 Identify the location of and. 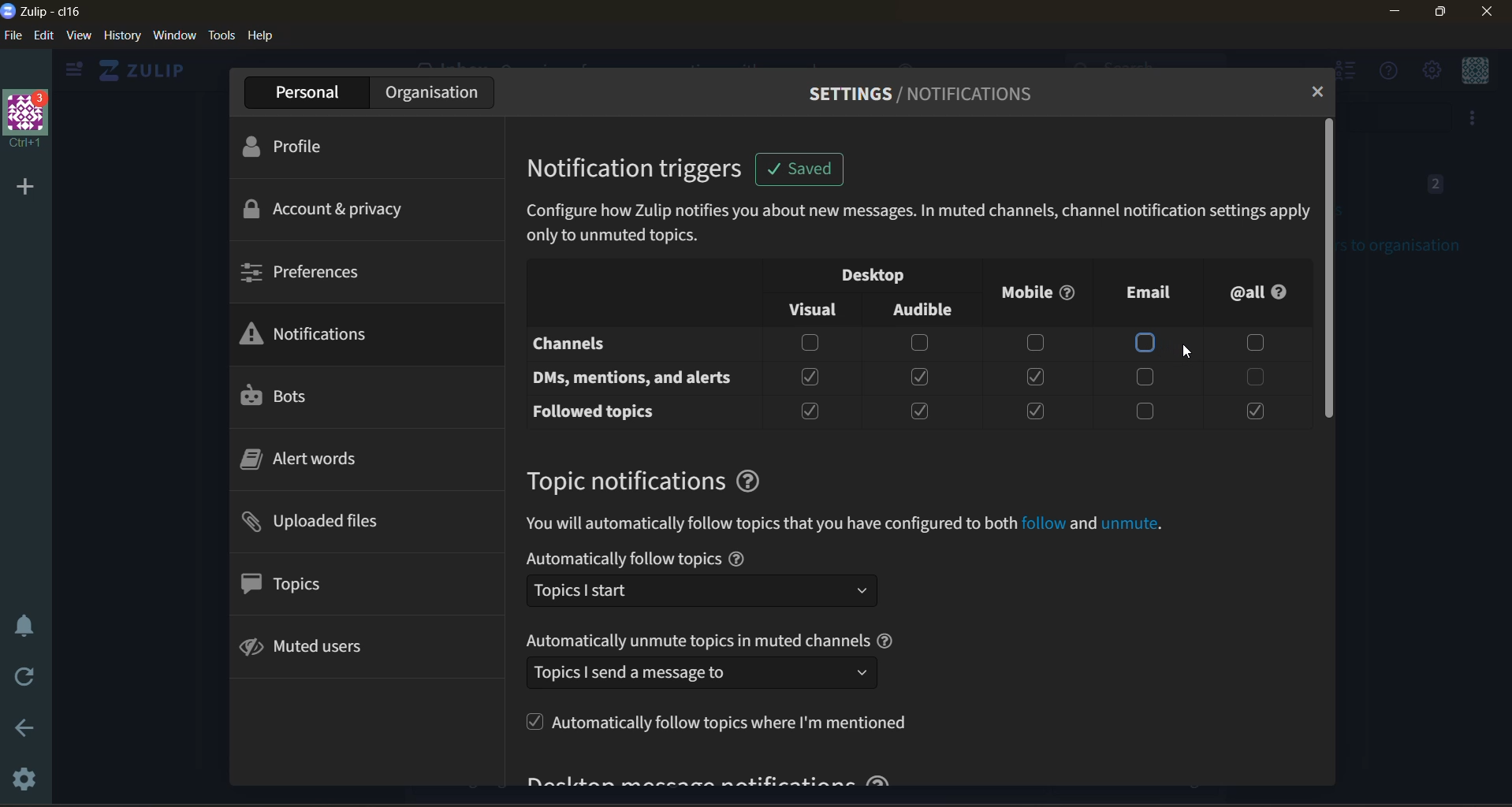
(1082, 524).